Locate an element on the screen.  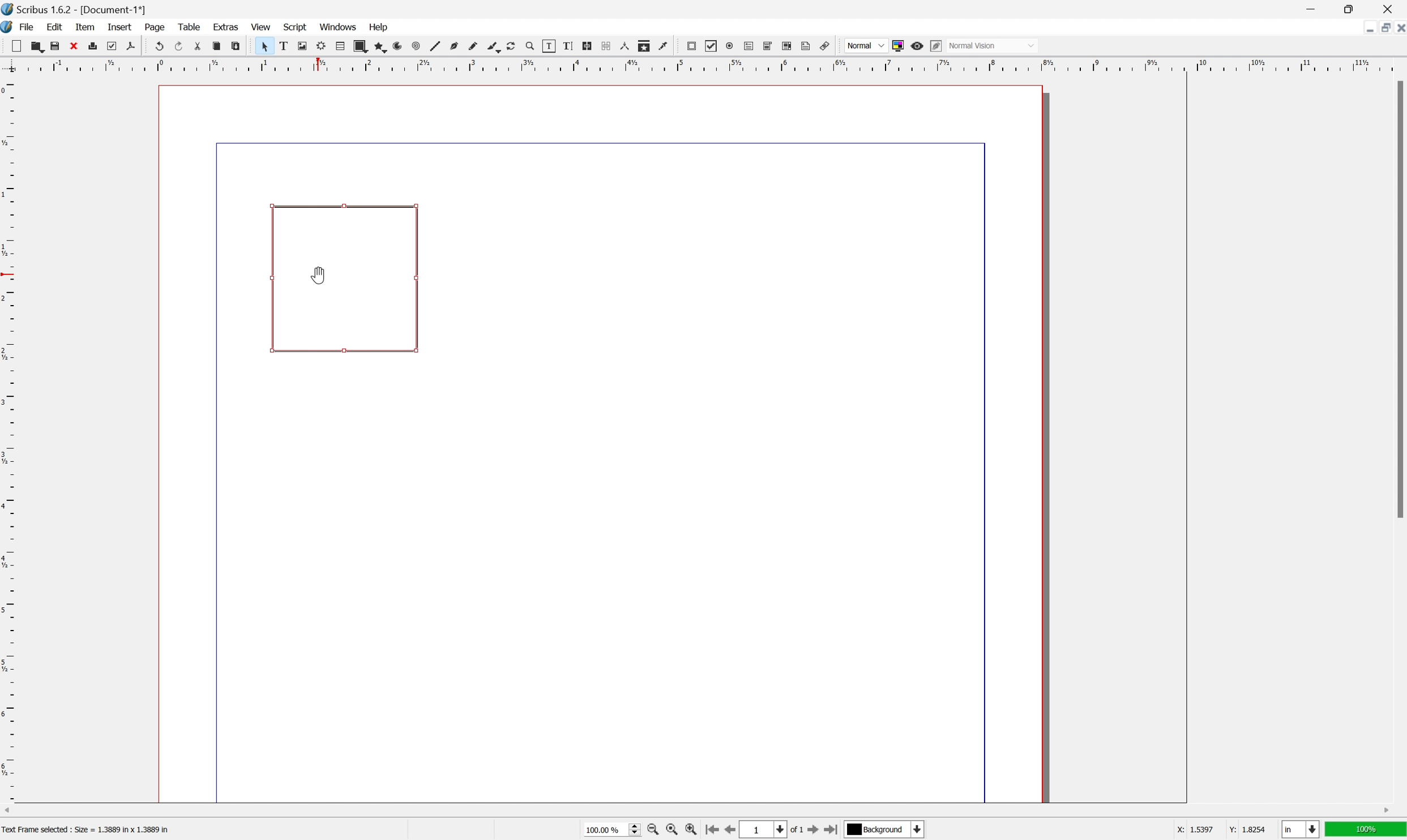
line is located at coordinates (435, 47).